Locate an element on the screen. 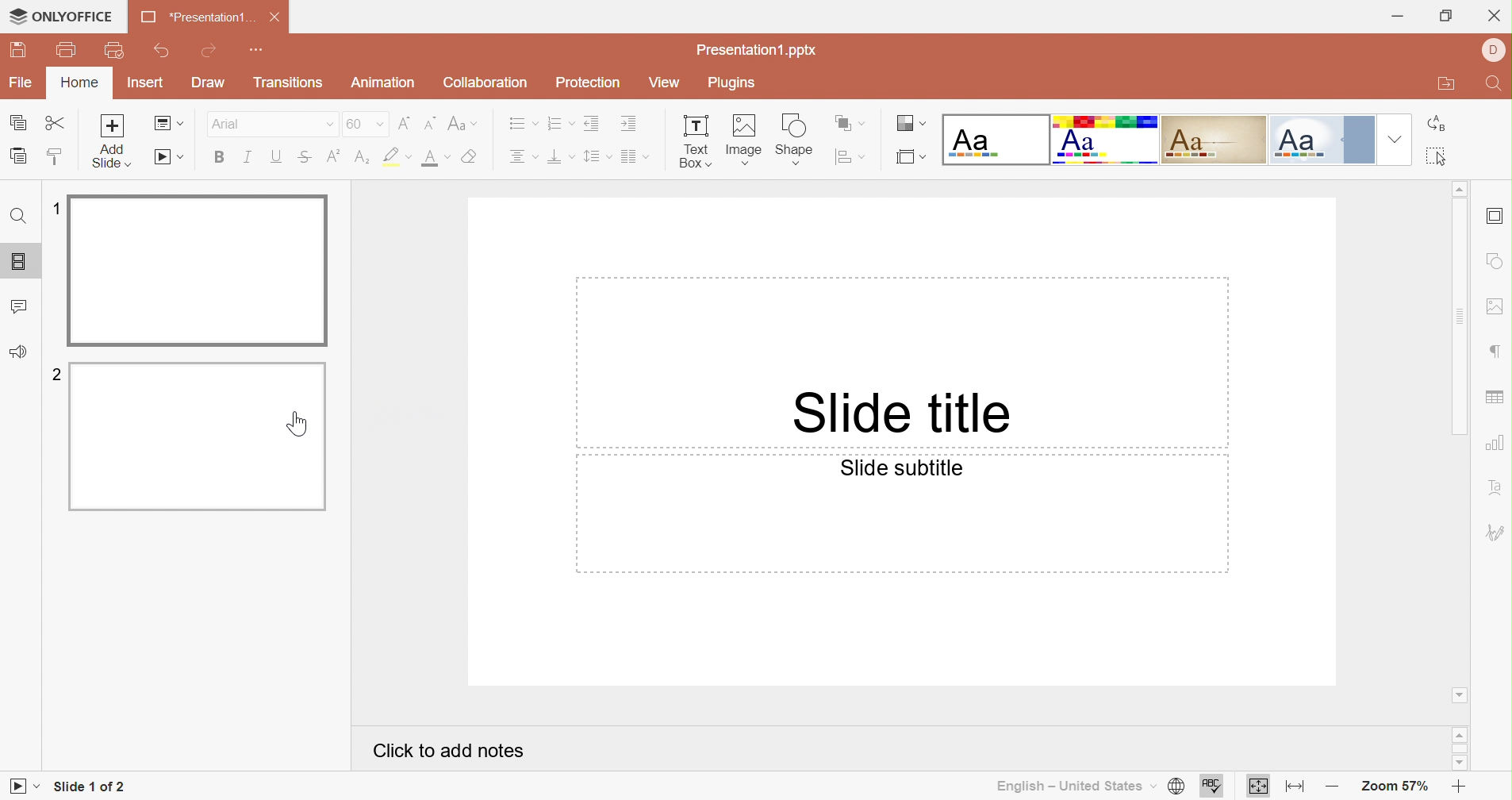 This screenshot has width=1512, height=800. Close is located at coordinates (277, 17).